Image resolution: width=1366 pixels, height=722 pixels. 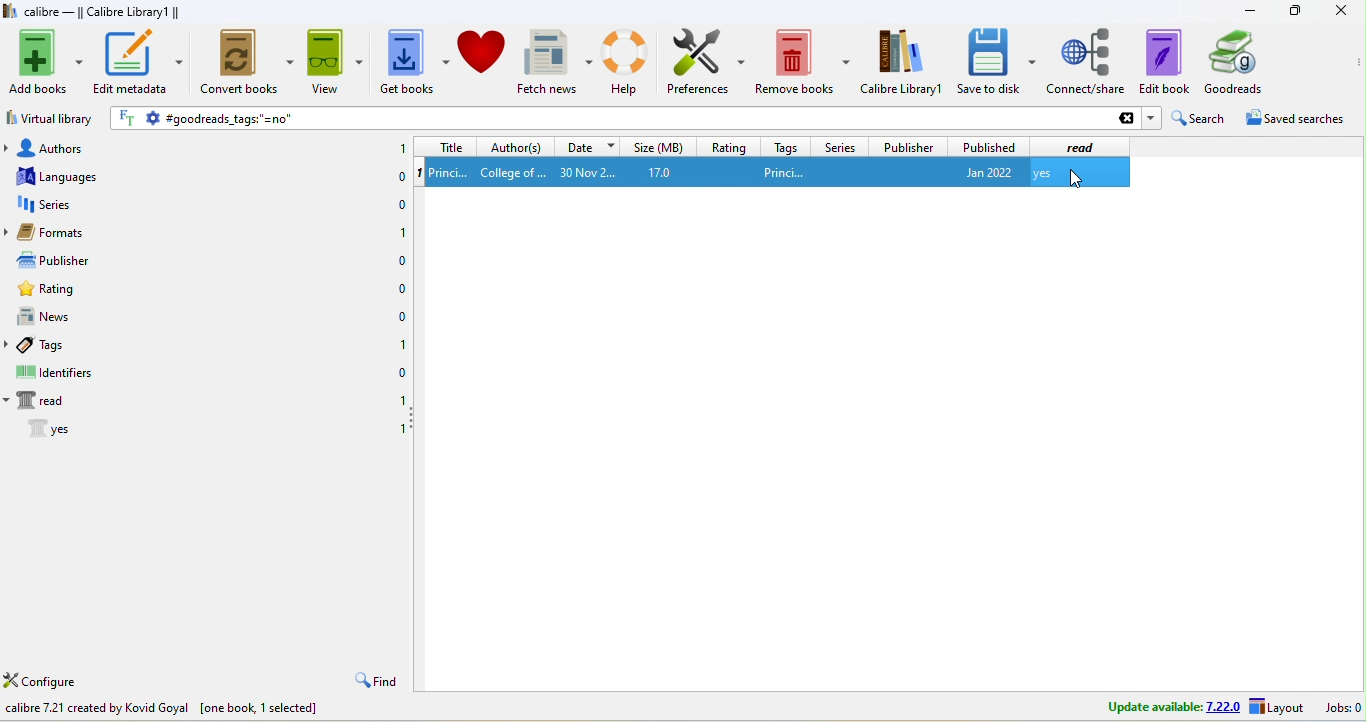 I want to click on FT, so click(x=128, y=118).